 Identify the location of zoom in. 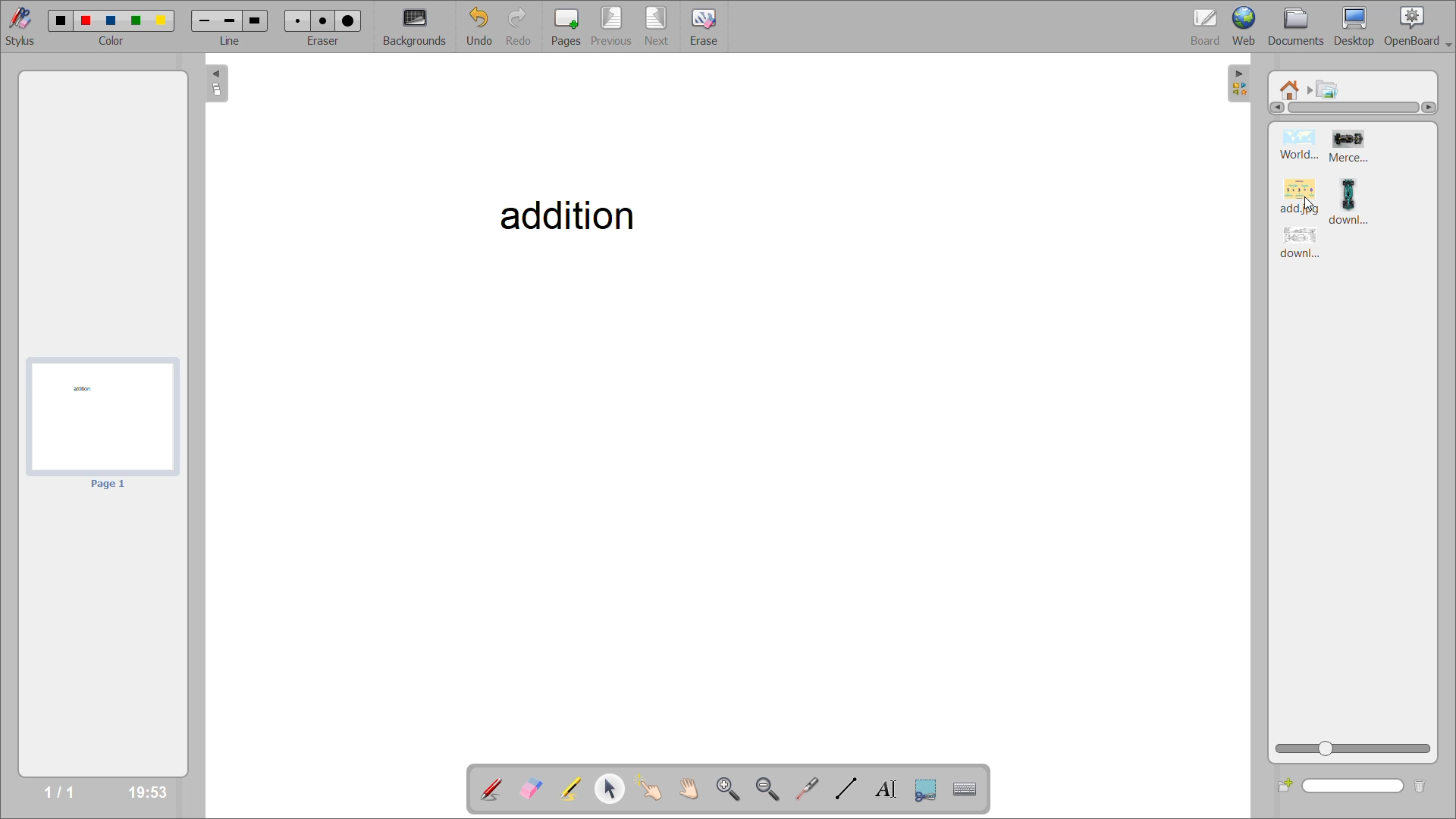
(729, 787).